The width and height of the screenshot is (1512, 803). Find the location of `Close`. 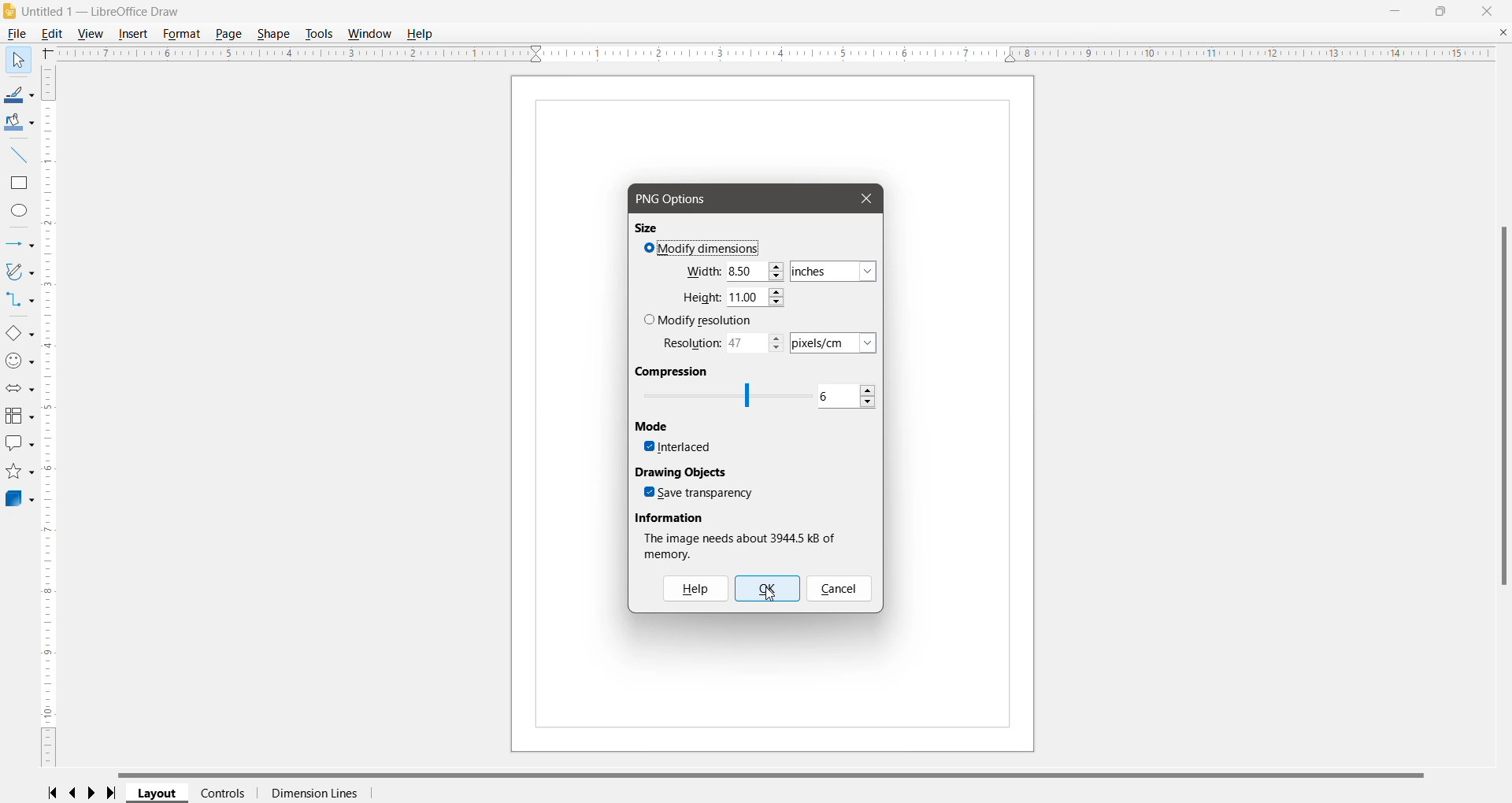

Close is located at coordinates (866, 198).